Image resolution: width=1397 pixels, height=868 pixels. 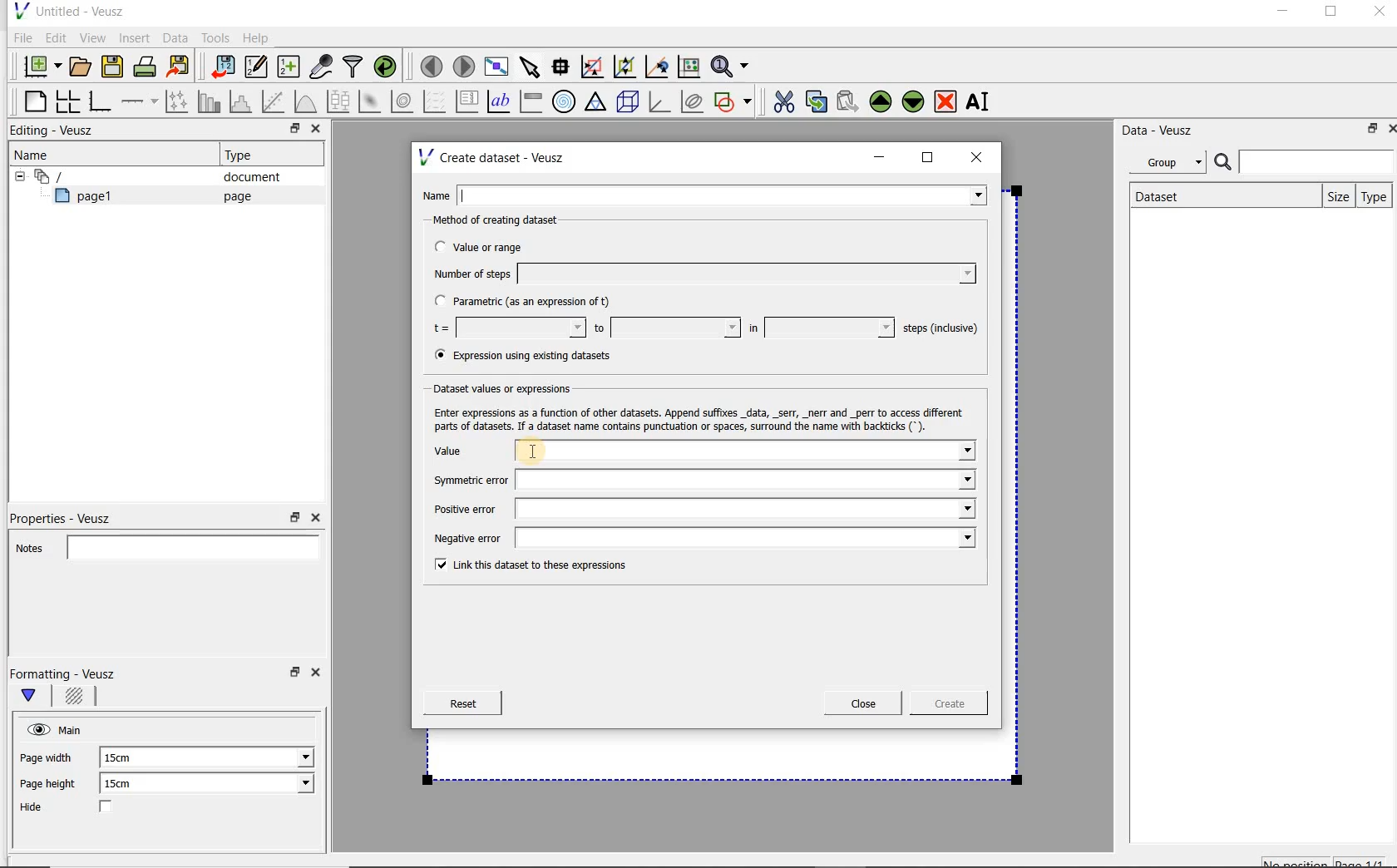 What do you see at coordinates (318, 675) in the screenshot?
I see `Close` at bounding box center [318, 675].